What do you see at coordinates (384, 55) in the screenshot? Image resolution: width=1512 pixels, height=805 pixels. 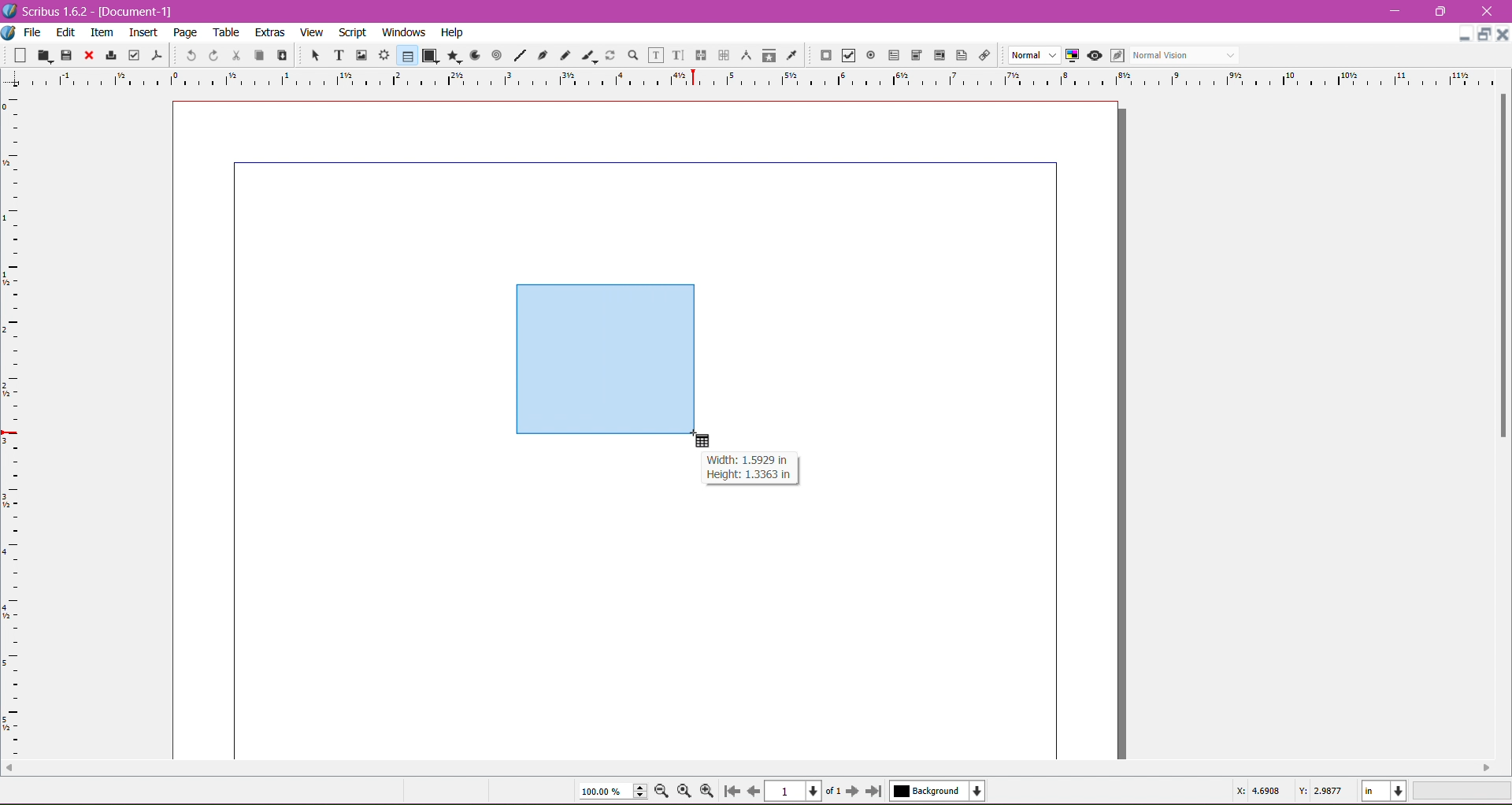 I see `Render Frame` at bounding box center [384, 55].